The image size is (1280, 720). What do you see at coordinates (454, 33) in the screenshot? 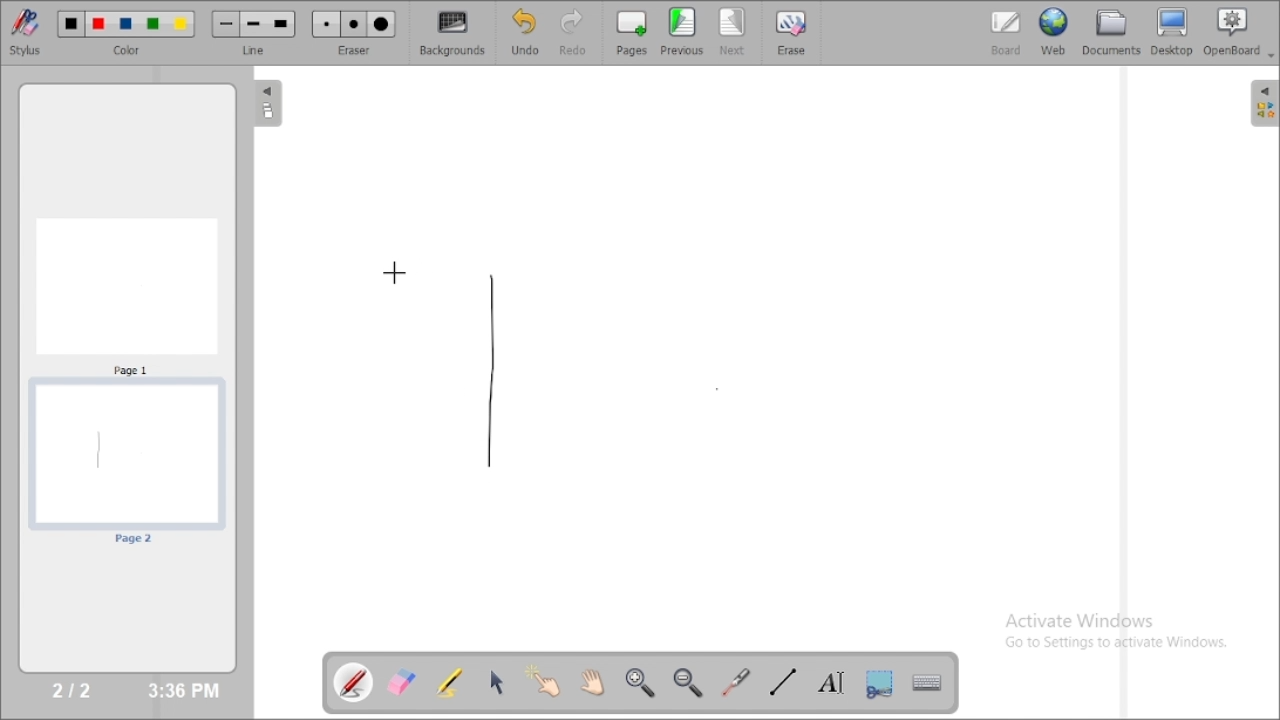
I see `backgrounds` at bounding box center [454, 33].